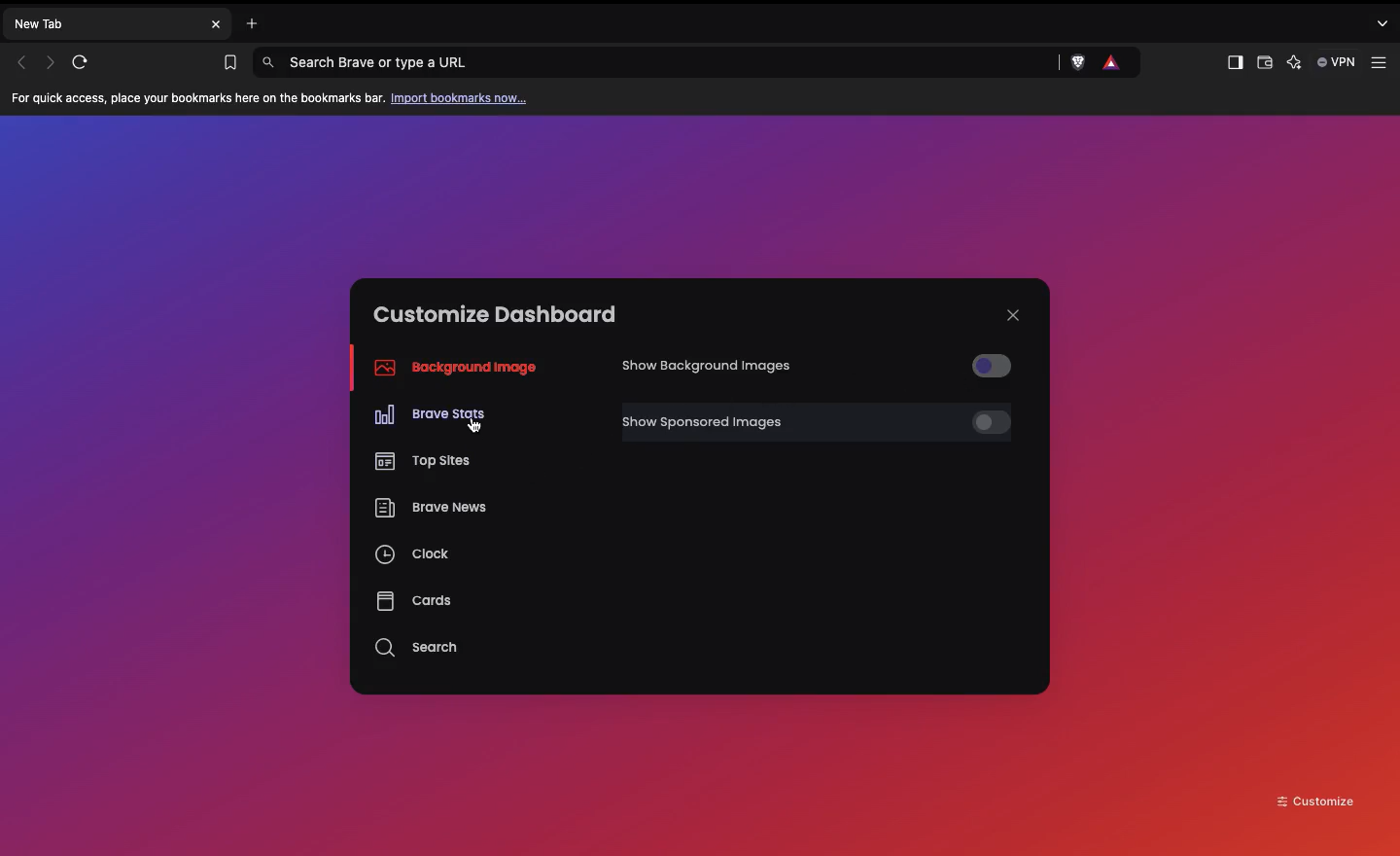 Image resolution: width=1400 pixels, height=856 pixels. I want to click on Background image, so click(450, 368).